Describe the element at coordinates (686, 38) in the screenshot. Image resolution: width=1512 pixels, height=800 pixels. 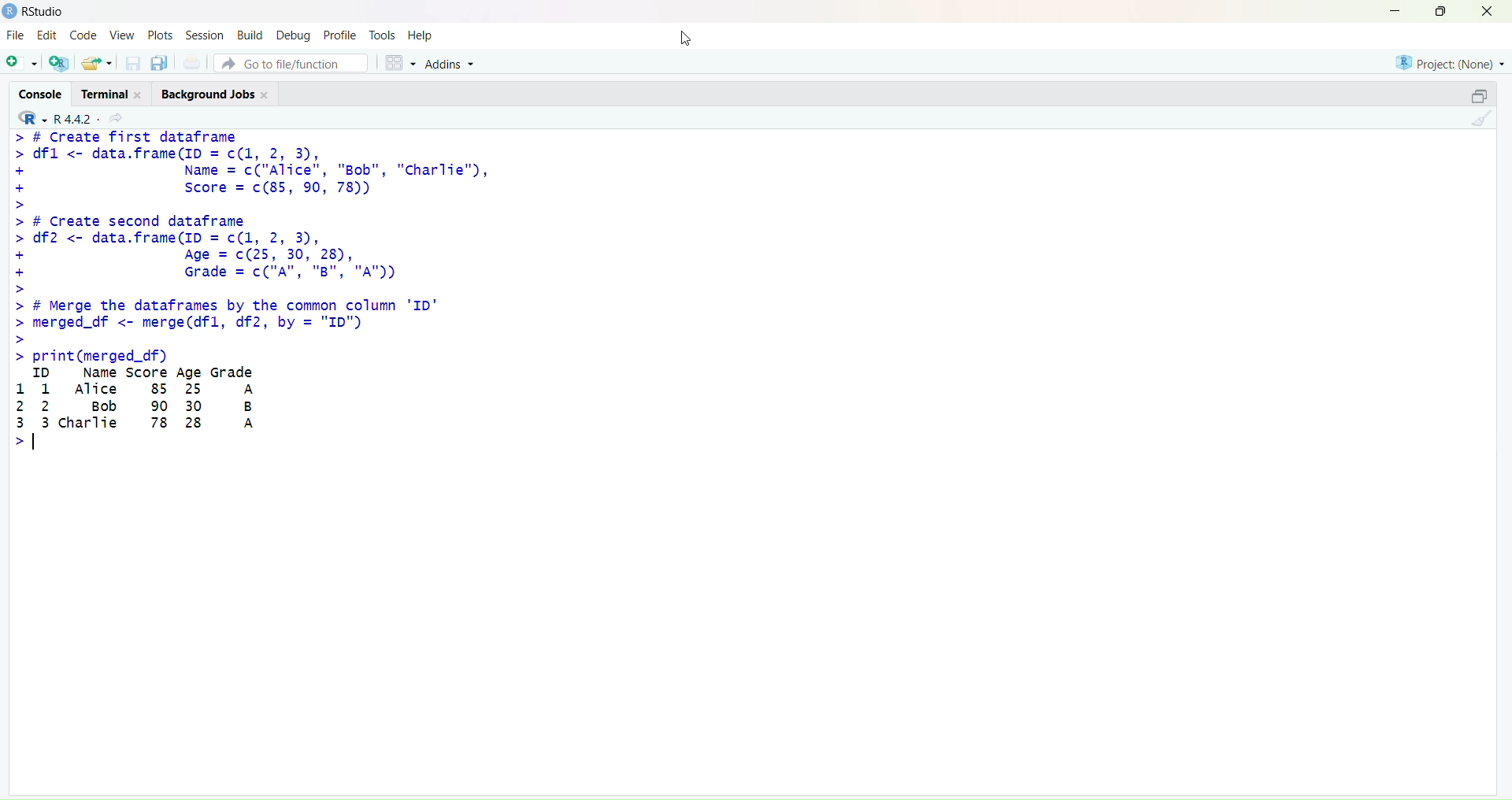
I see `cursor` at that location.